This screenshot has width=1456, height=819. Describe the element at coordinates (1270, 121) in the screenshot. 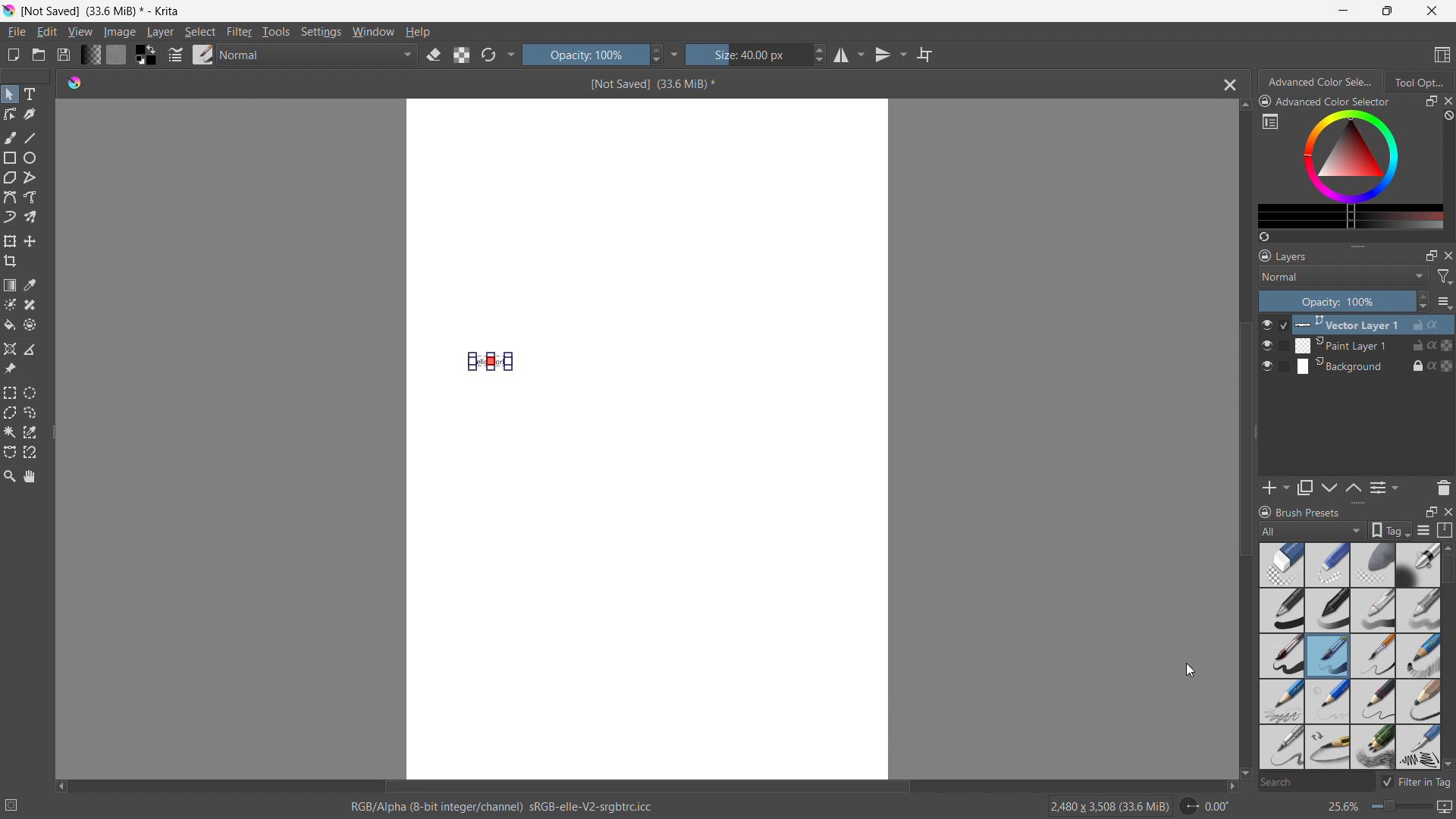

I see `more settings` at that location.